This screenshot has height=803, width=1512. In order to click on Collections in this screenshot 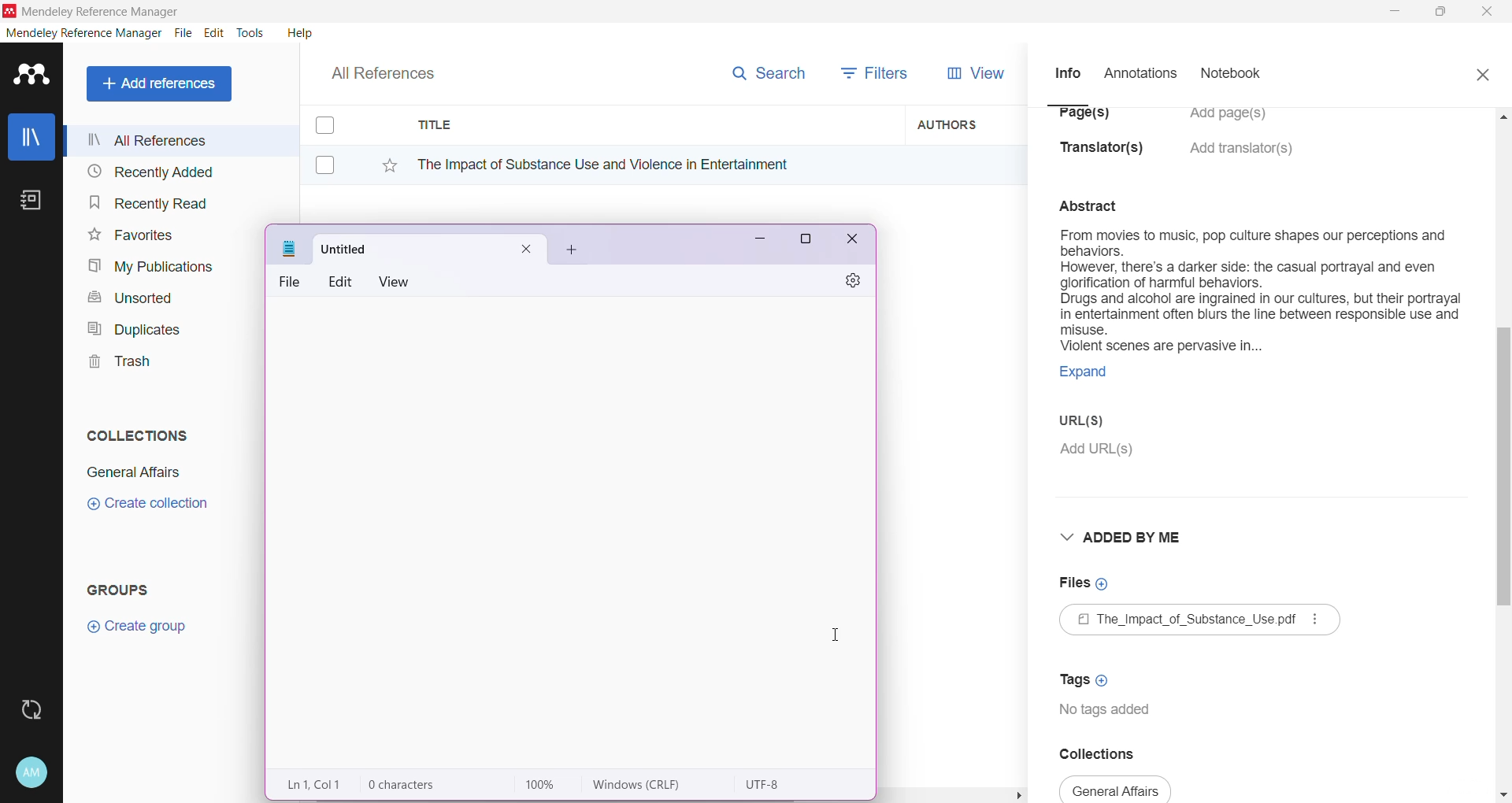, I will do `click(133, 432)`.